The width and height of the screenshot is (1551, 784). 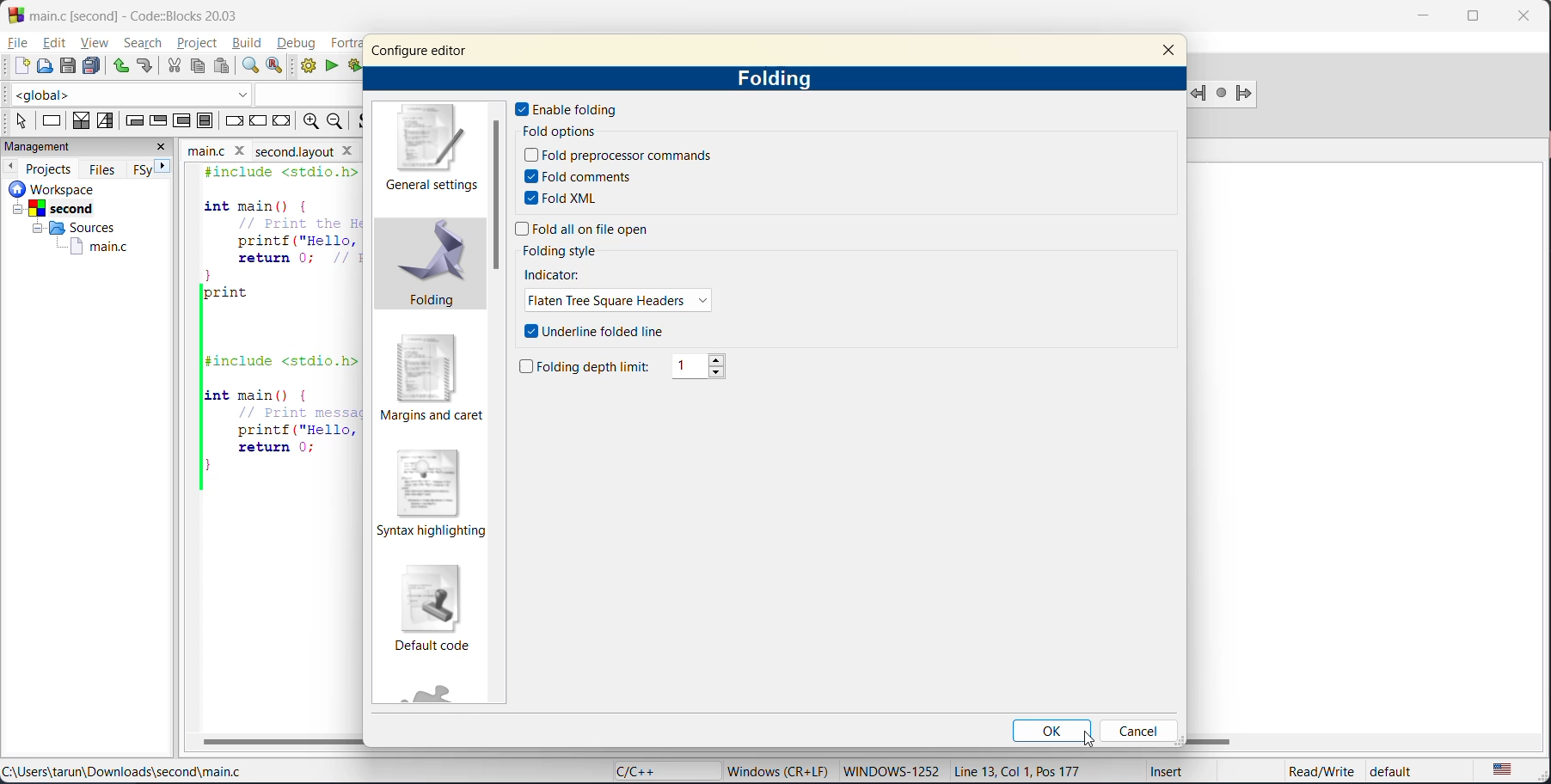 What do you see at coordinates (555, 274) in the screenshot?
I see `indicator` at bounding box center [555, 274].